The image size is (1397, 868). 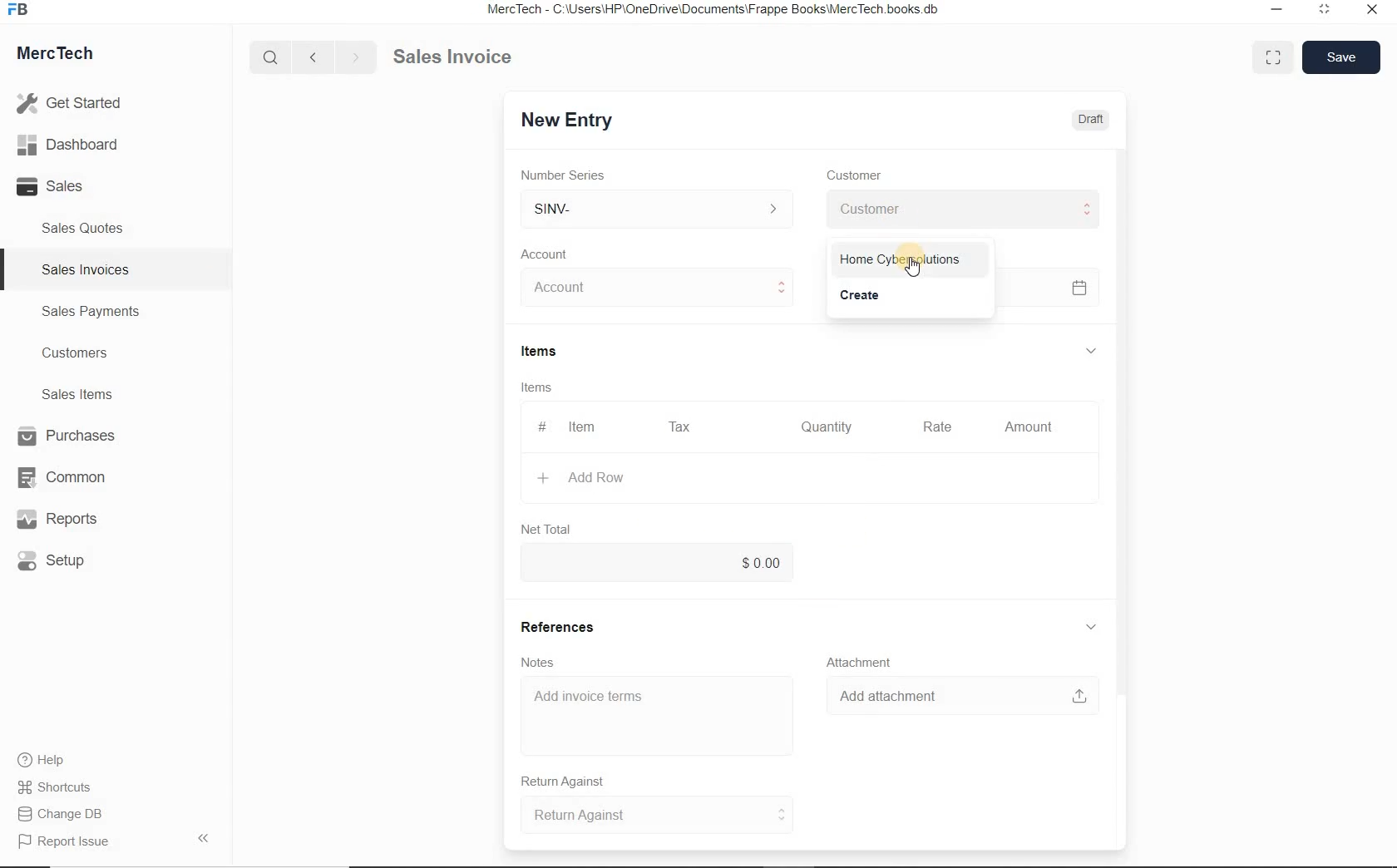 What do you see at coordinates (355, 57) in the screenshot?
I see `Go forward` at bounding box center [355, 57].